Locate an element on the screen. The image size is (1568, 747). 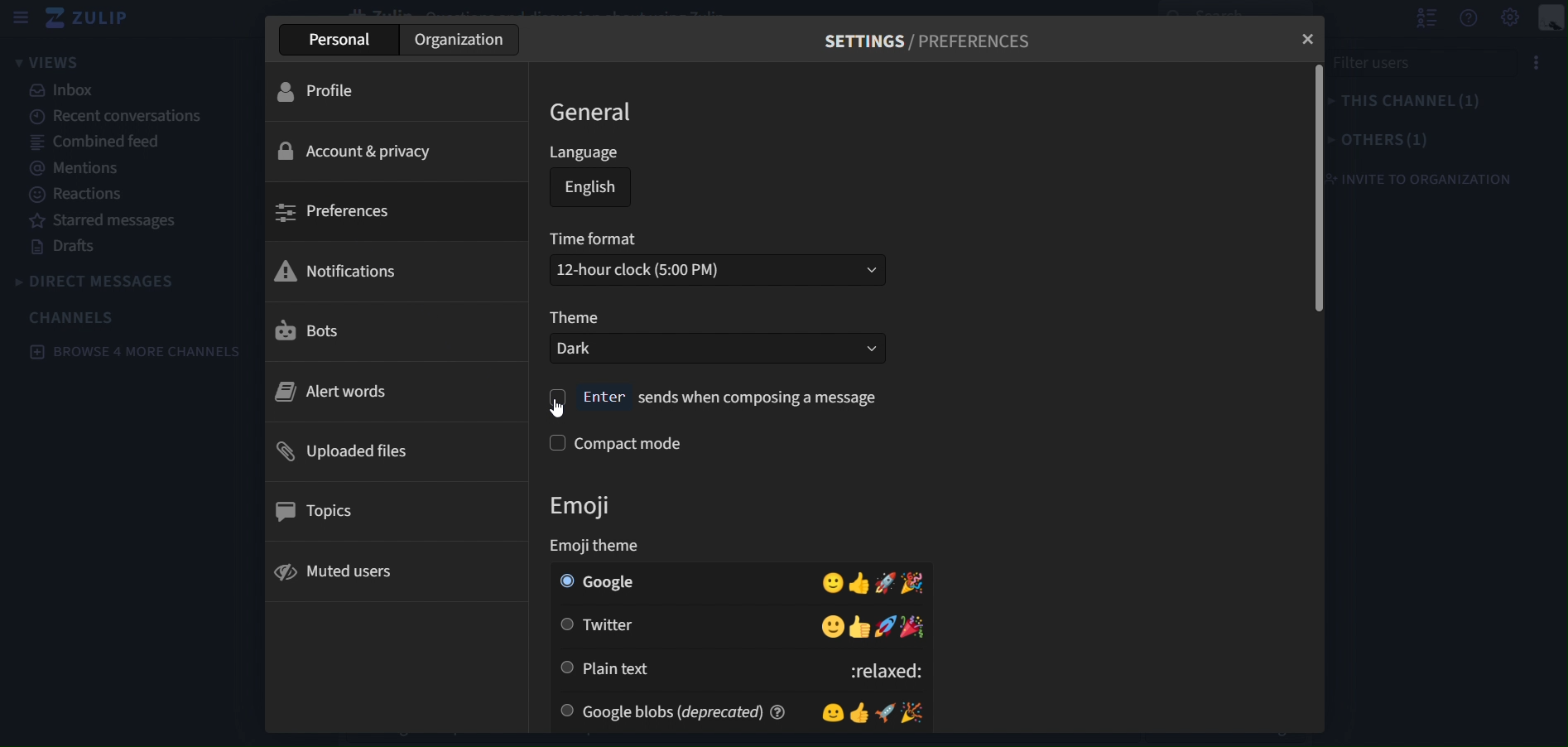
Zulip is located at coordinates (99, 20).